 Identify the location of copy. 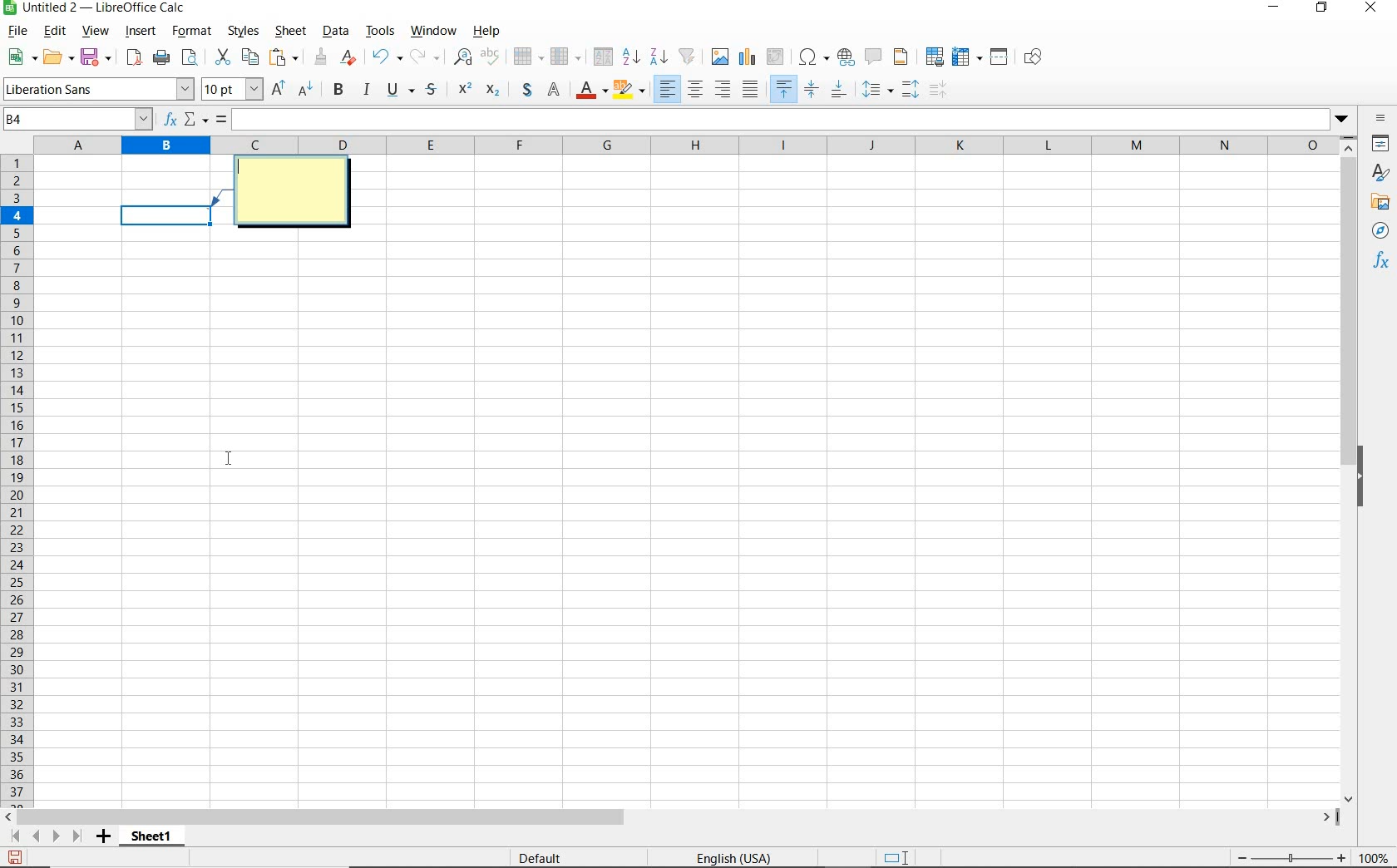
(250, 57).